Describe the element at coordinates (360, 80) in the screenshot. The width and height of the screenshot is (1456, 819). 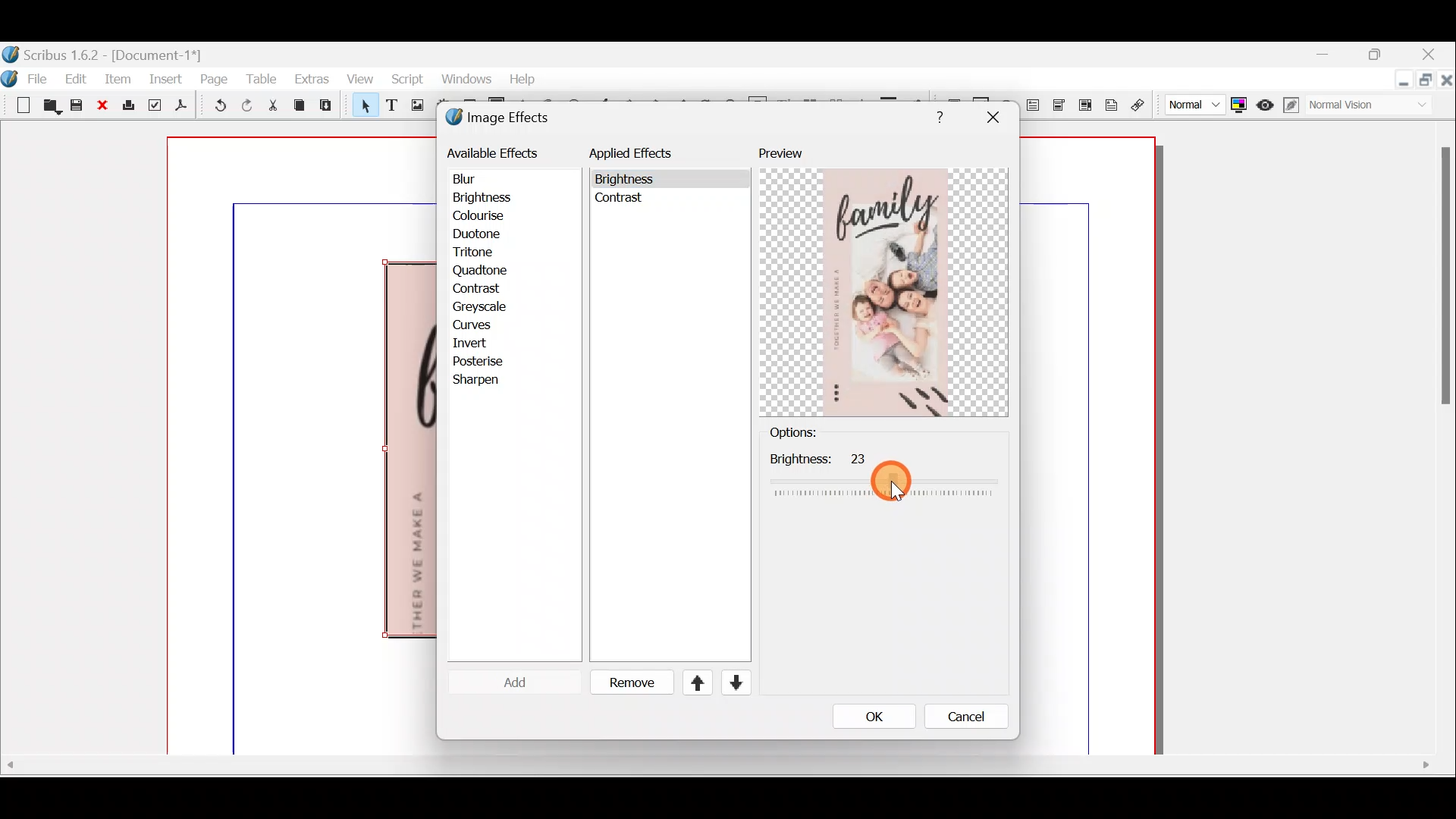
I see `View` at that location.